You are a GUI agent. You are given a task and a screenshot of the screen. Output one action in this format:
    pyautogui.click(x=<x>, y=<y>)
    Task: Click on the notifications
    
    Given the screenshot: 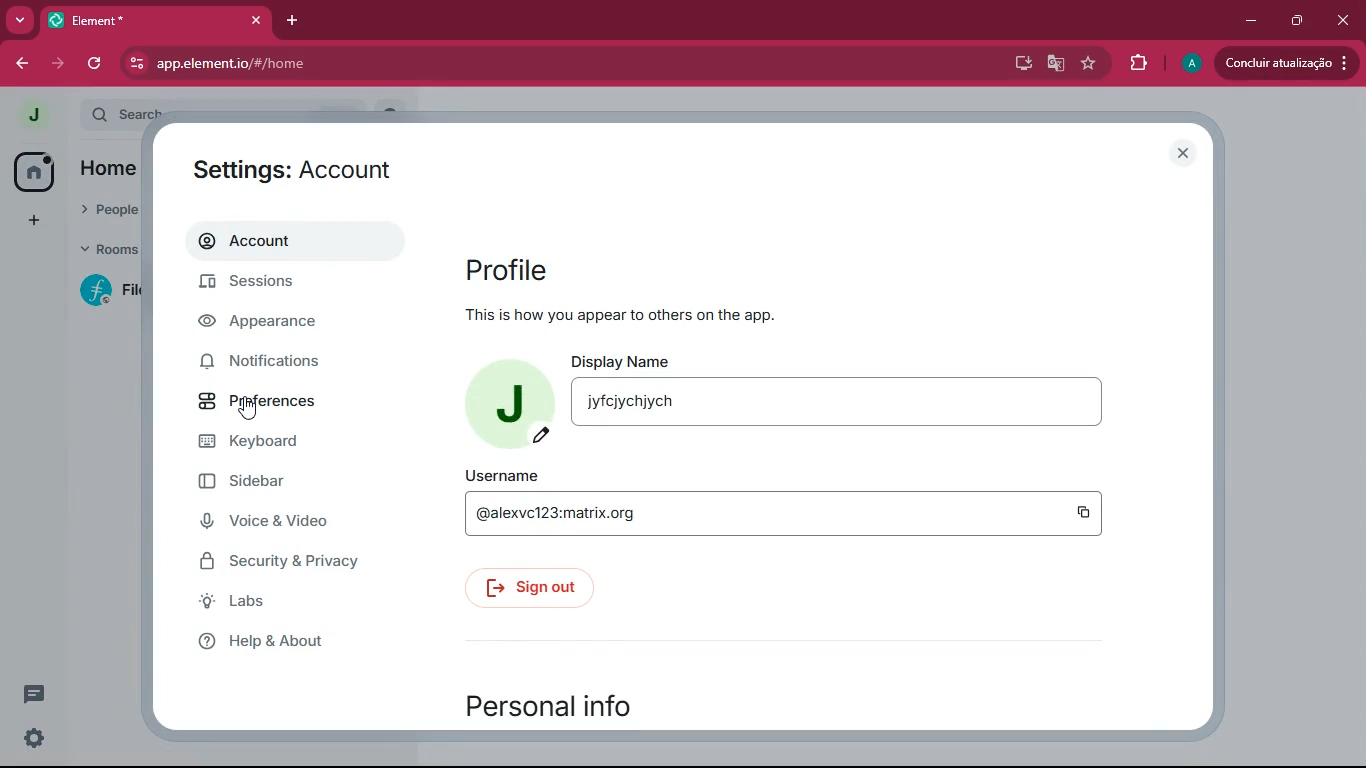 What is the action you would take?
    pyautogui.click(x=278, y=360)
    